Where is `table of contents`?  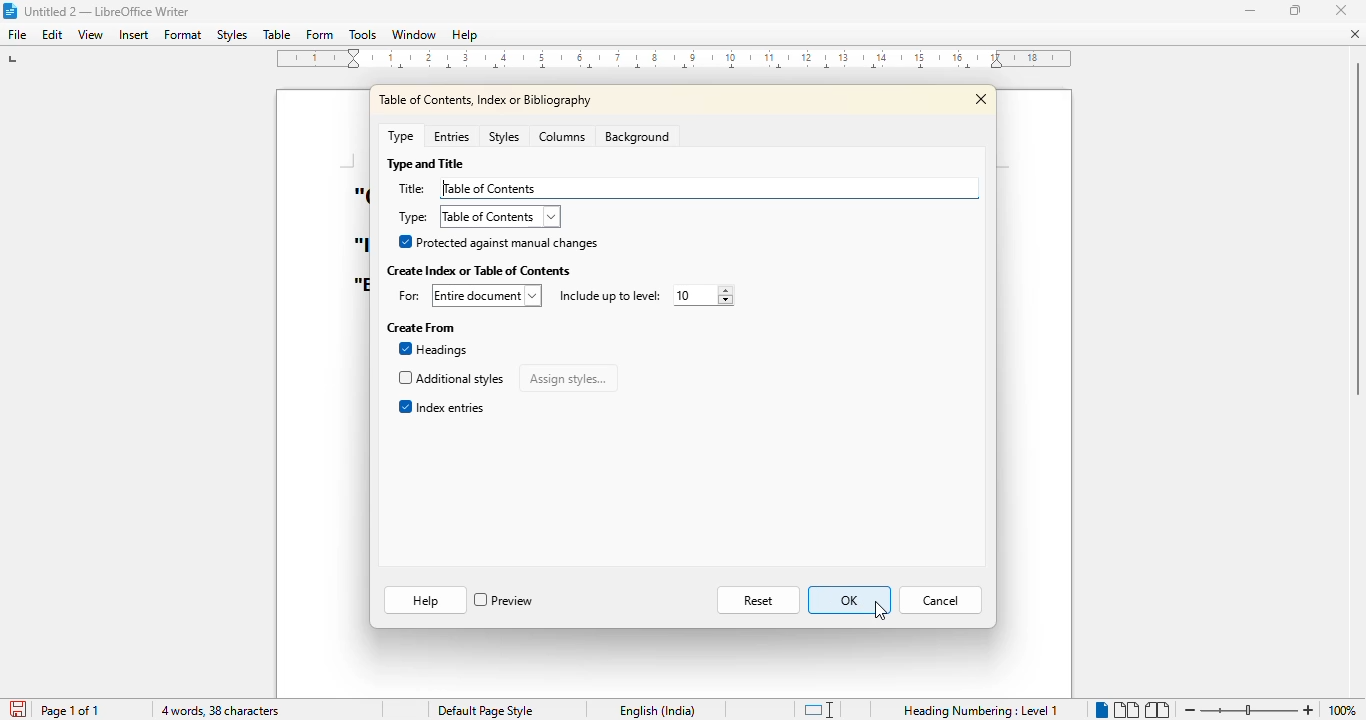 table of contents is located at coordinates (499, 217).